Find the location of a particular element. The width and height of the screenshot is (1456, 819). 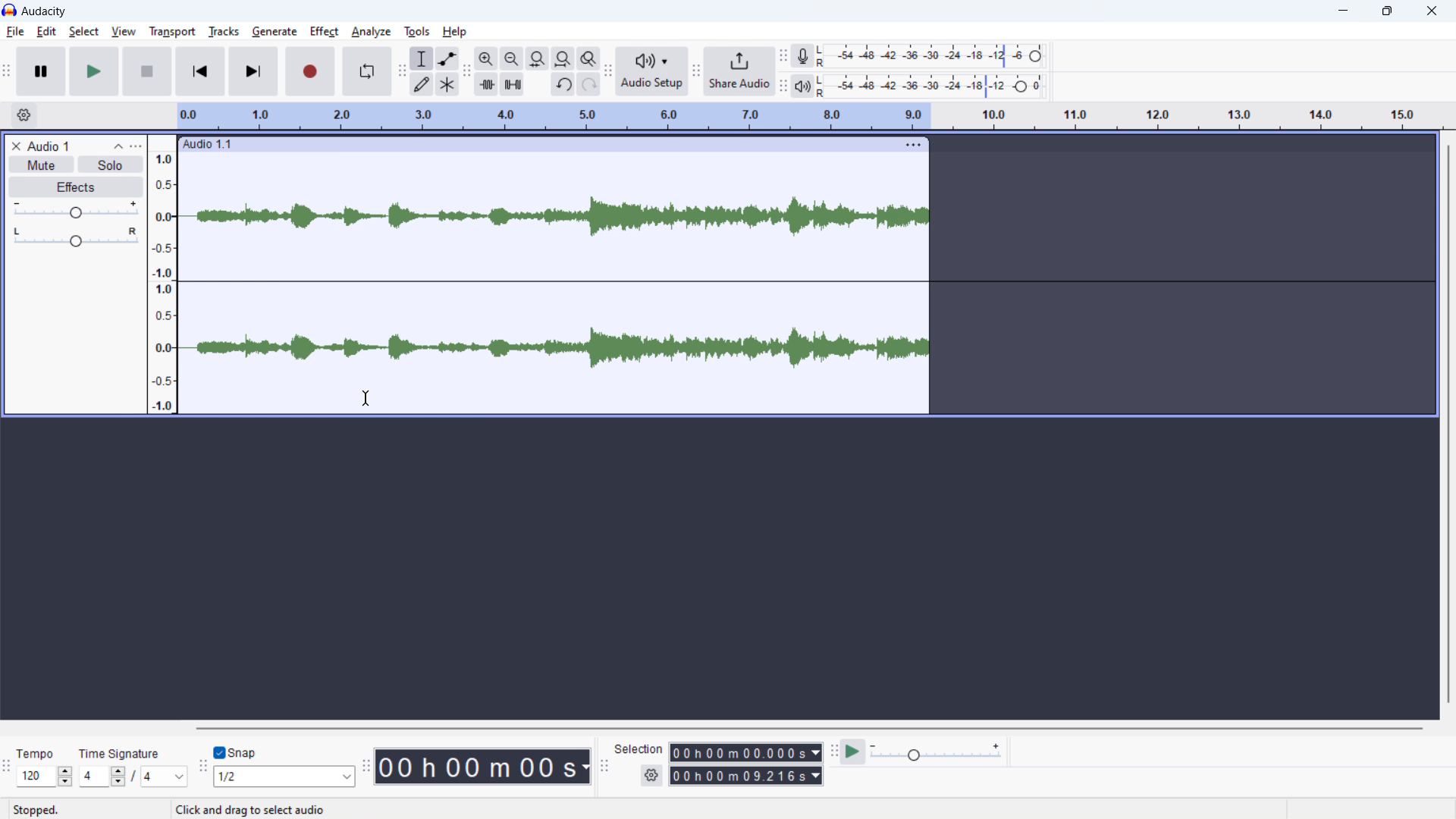

click to move is located at coordinates (530, 144).